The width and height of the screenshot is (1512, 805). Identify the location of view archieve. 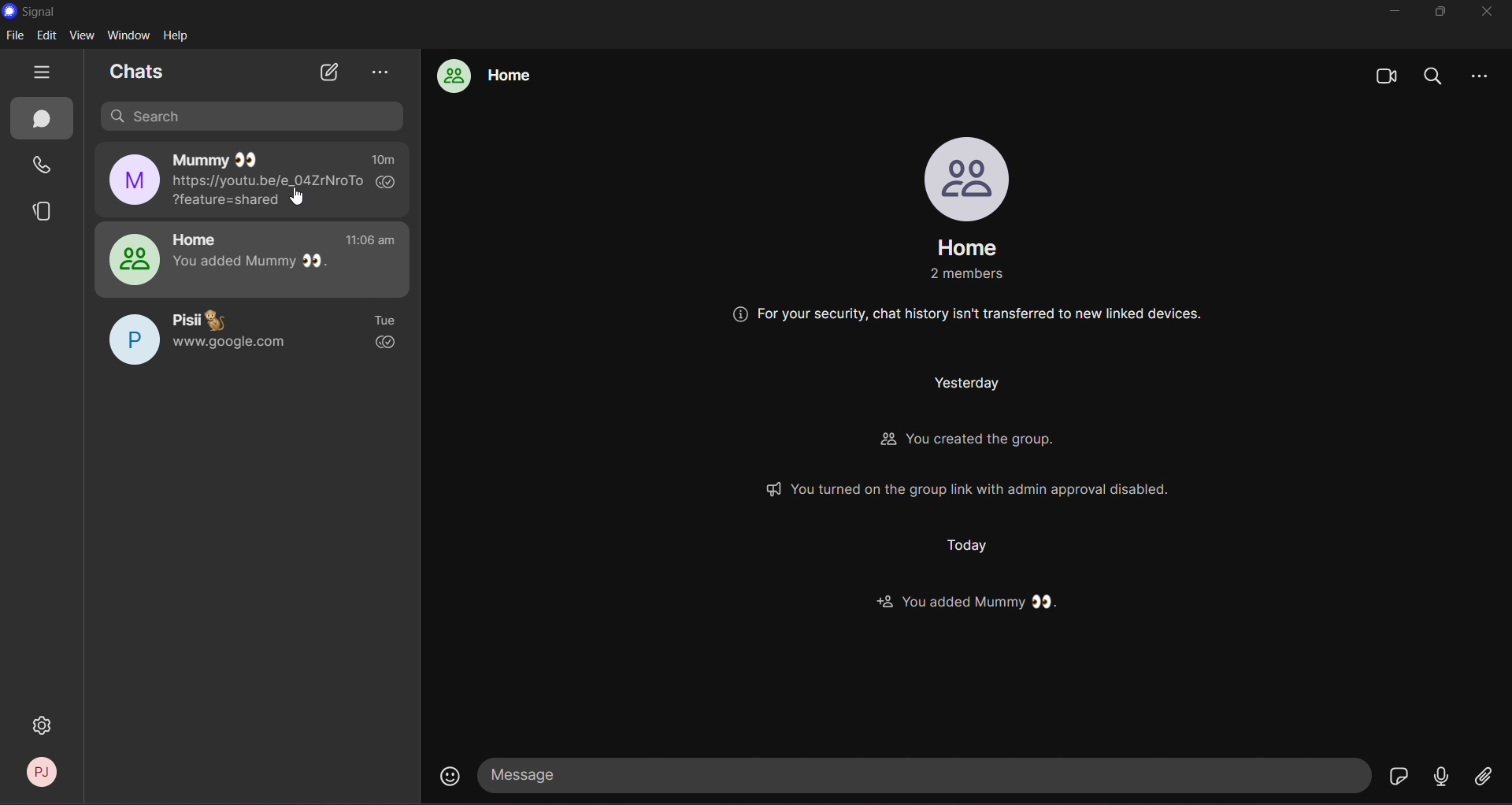
(382, 73).